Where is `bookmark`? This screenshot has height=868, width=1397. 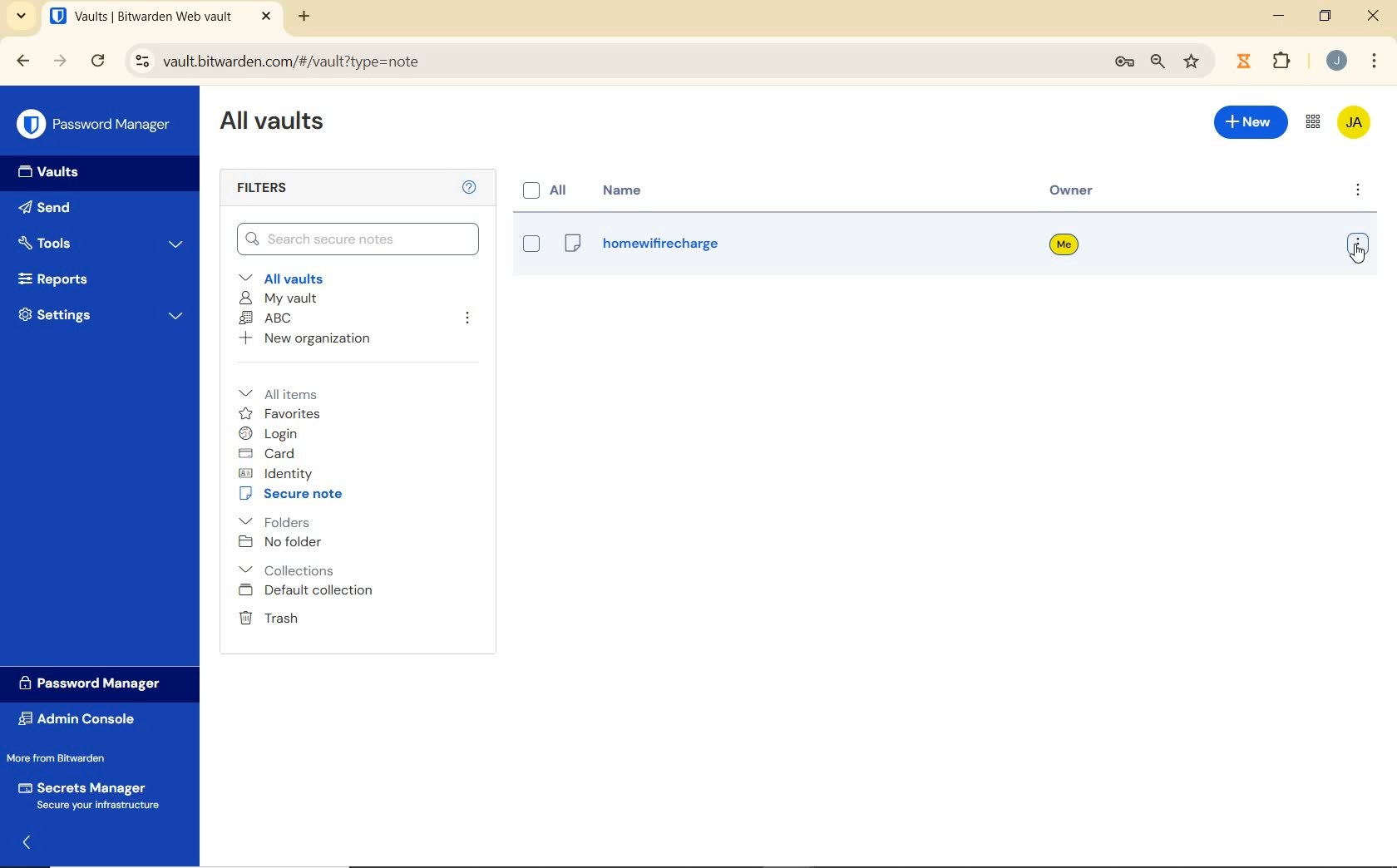 bookmark is located at coordinates (1193, 62).